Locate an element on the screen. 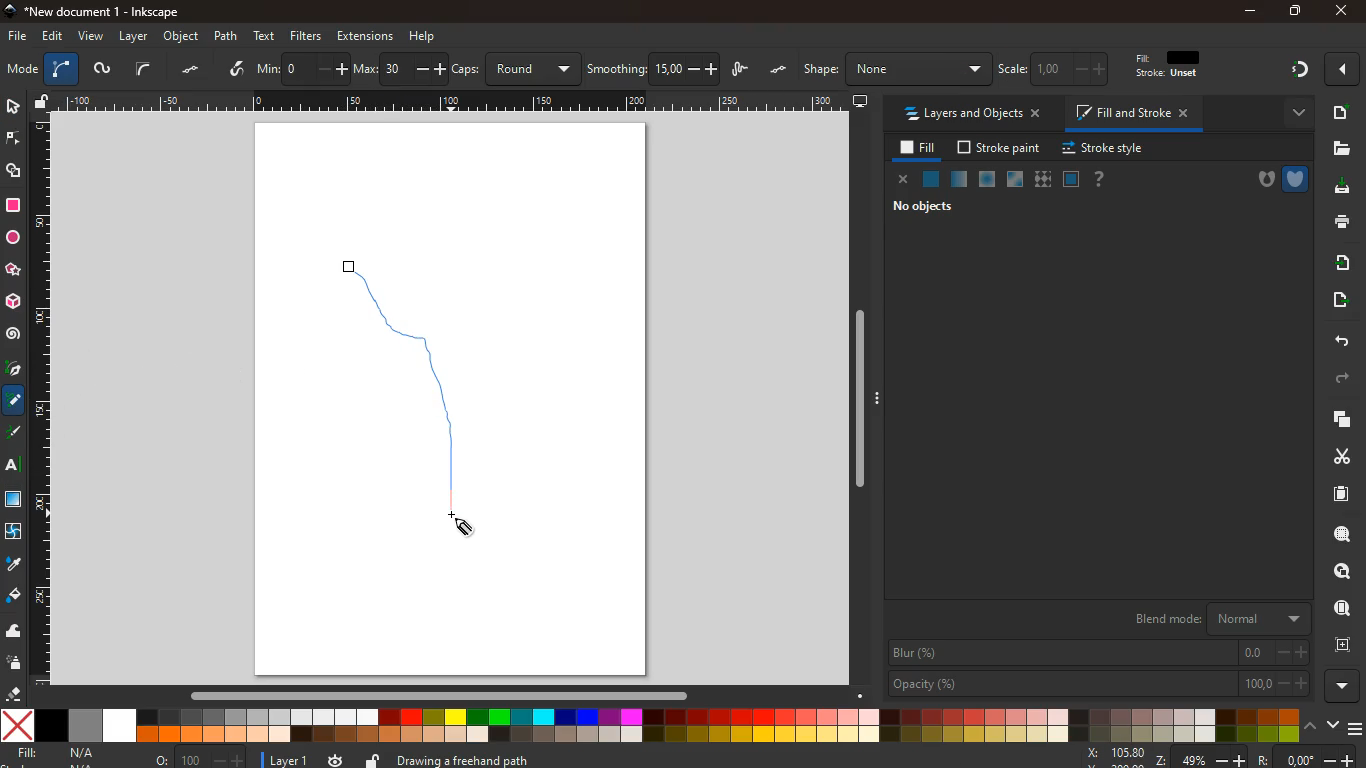 Image resolution: width=1366 pixels, height=768 pixels. draw-cursor is located at coordinates (465, 524).